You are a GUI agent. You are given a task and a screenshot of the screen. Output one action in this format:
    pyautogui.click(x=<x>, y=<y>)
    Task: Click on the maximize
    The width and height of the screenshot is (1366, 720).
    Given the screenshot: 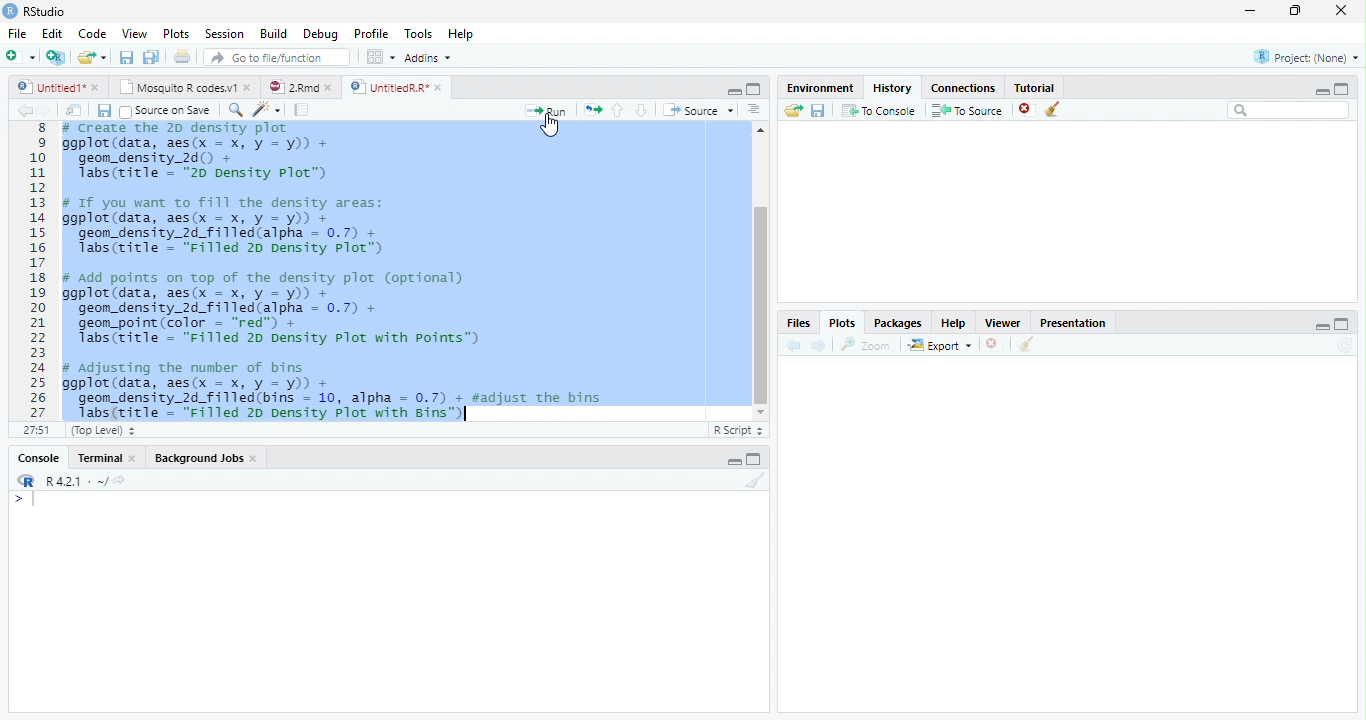 What is the action you would take?
    pyautogui.click(x=1342, y=88)
    